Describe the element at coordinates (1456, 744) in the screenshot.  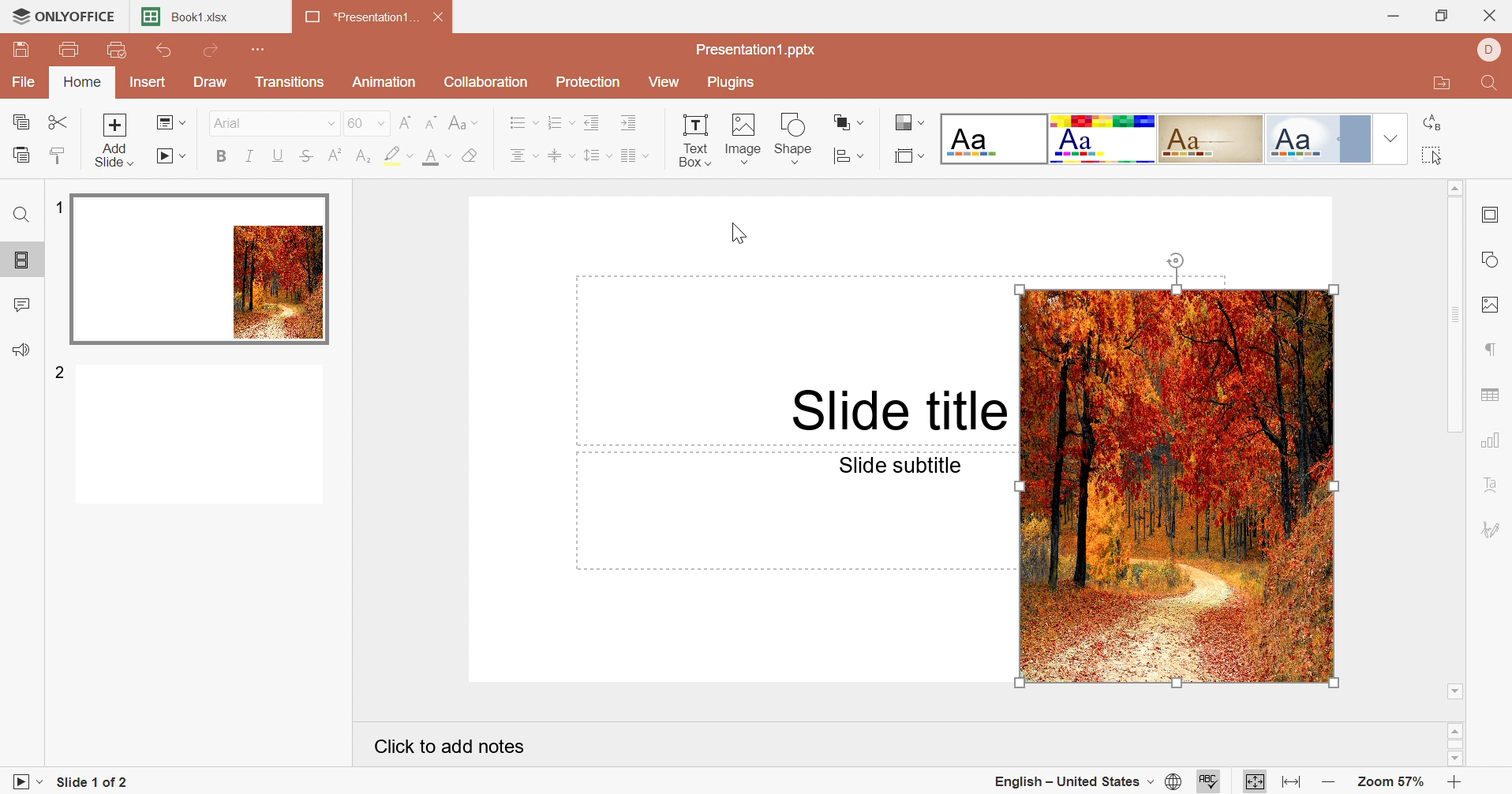
I see `Scroll Bar` at that location.